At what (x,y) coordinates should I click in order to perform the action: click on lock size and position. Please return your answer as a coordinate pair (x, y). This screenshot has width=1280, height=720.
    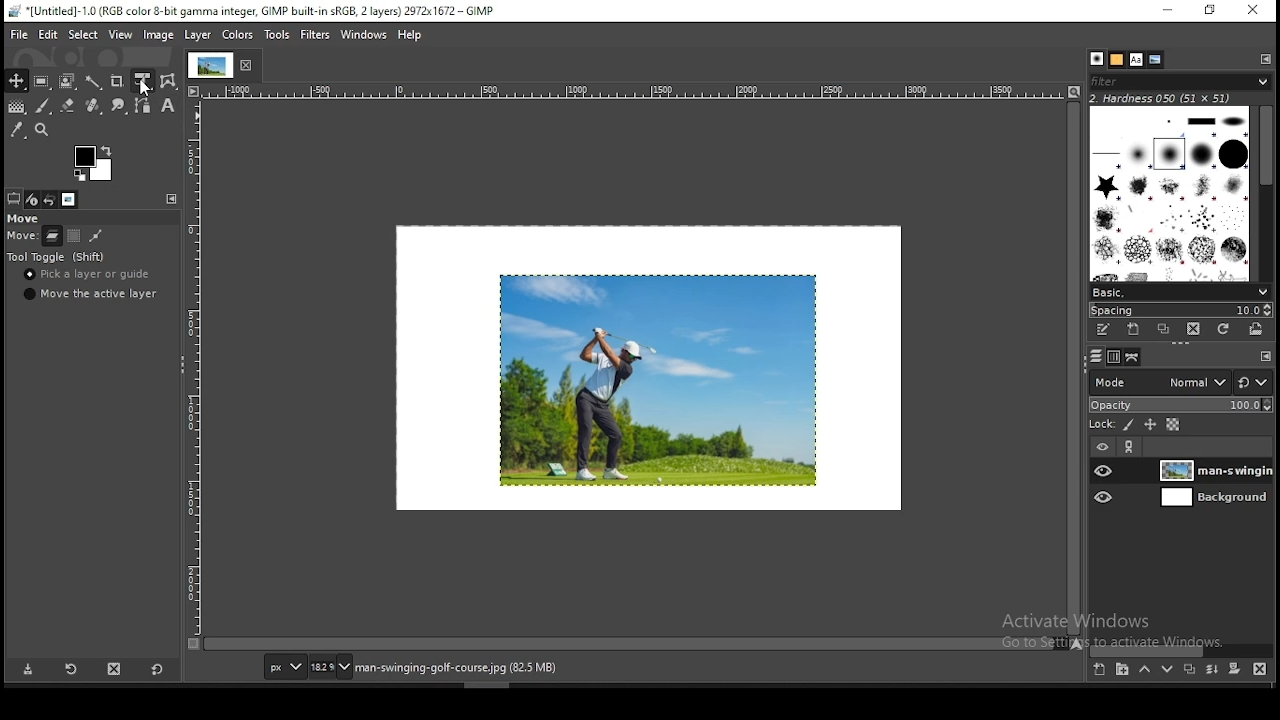
    Looking at the image, I should click on (1148, 425).